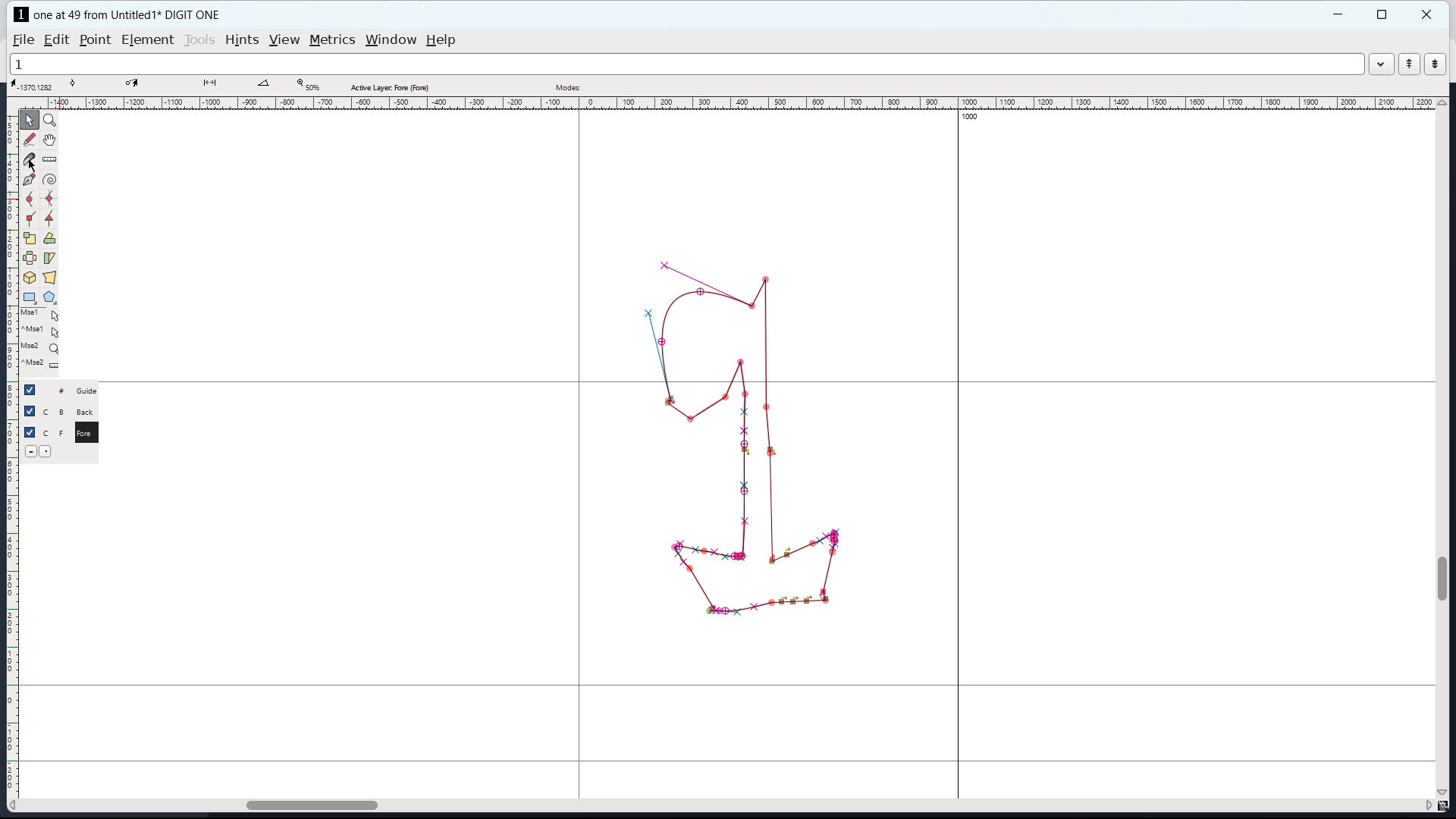 The width and height of the screenshot is (1456, 819). Describe the element at coordinates (441, 40) in the screenshot. I see `help` at that location.